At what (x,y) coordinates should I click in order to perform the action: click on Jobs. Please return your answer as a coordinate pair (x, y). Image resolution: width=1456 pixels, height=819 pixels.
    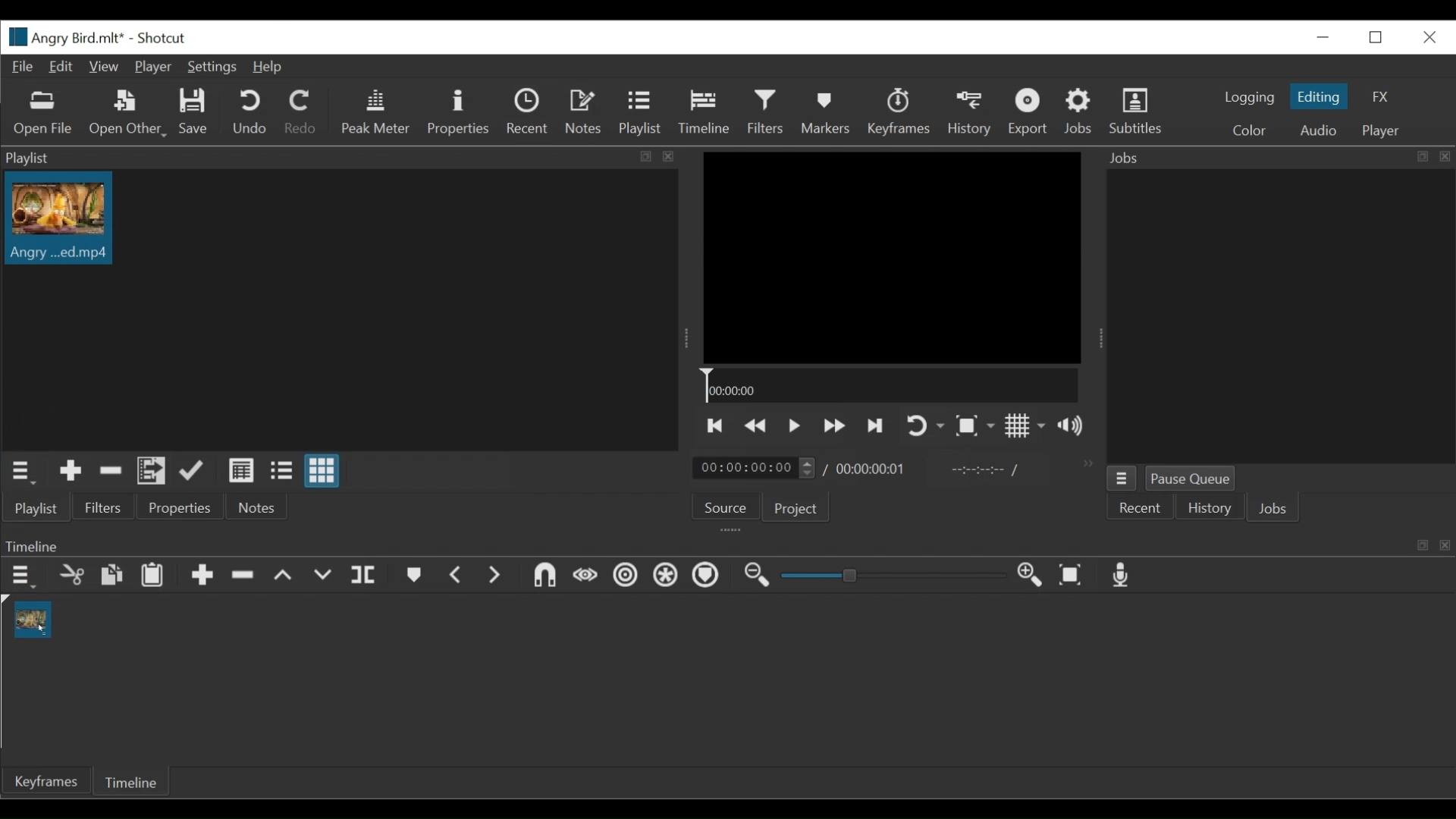
    Looking at the image, I should click on (1081, 111).